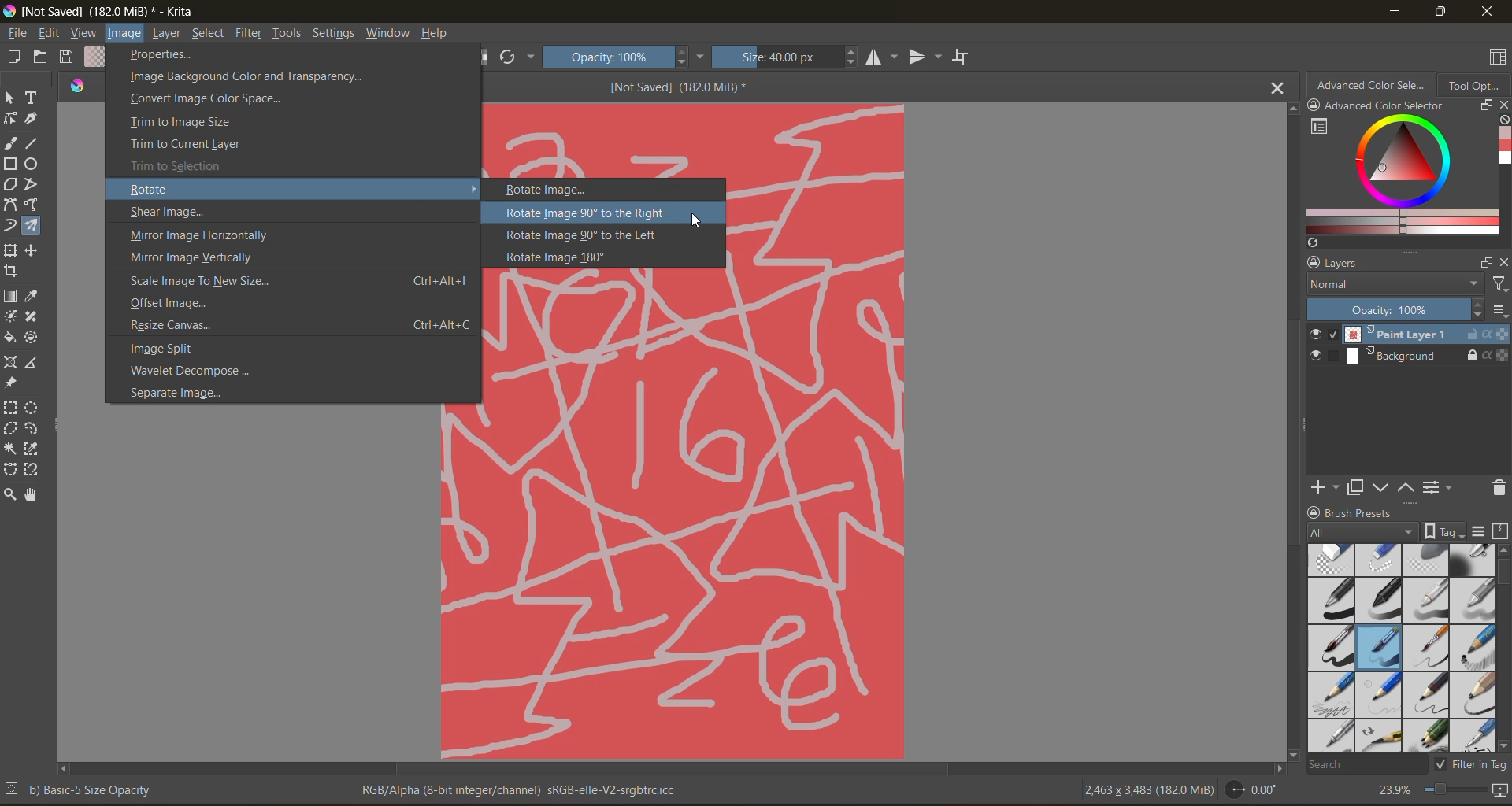 This screenshot has width=1512, height=806. Describe the element at coordinates (1151, 789) in the screenshot. I see `image metadata` at that location.